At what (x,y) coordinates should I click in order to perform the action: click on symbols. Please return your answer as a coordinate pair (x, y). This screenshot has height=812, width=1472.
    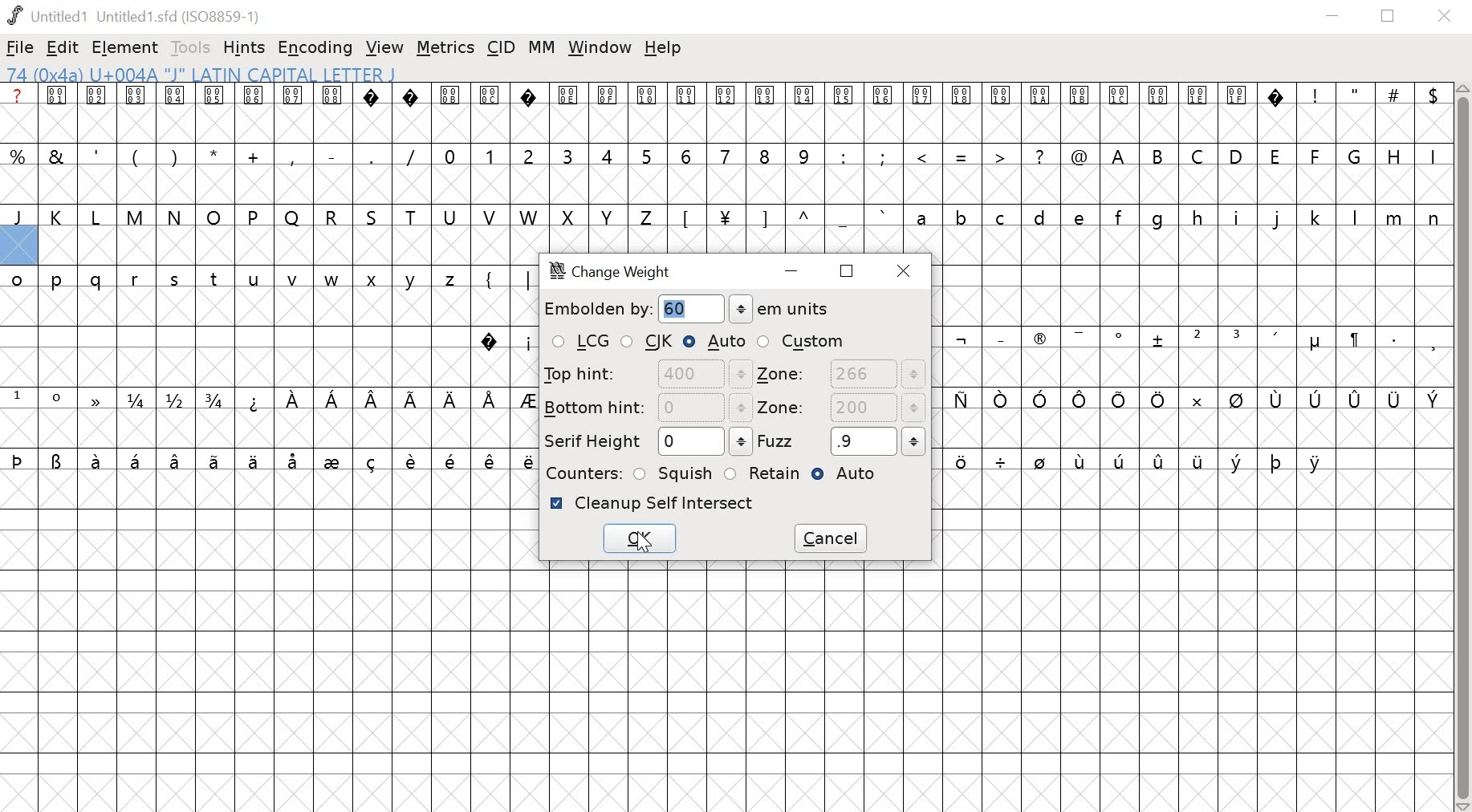
    Looking at the image, I should click on (390, 400).